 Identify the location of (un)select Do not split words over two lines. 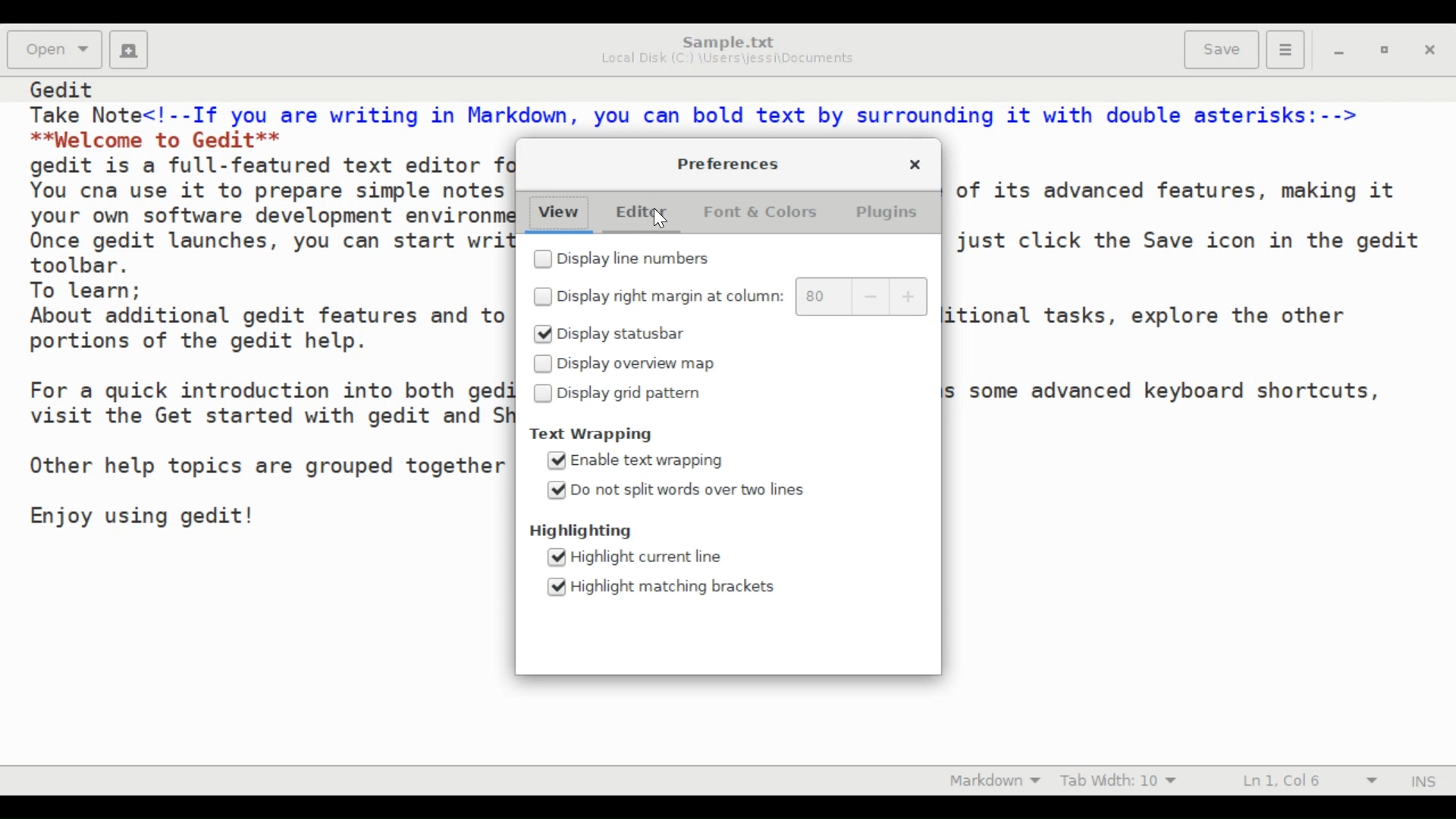
(676, 490).